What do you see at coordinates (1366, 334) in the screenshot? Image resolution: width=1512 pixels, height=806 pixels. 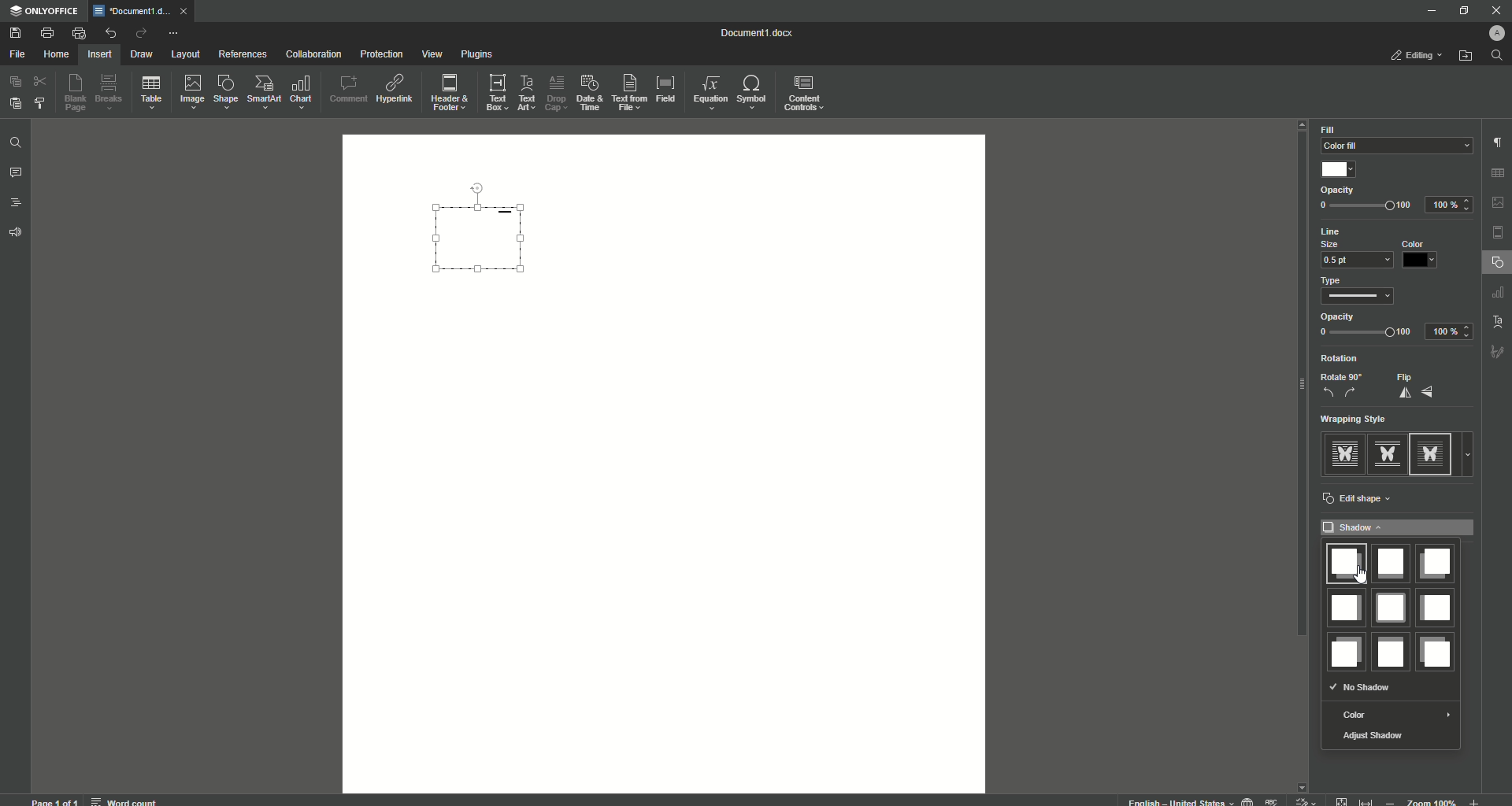 I see `choose 0 to 100` at bounding box center [1366, 334].